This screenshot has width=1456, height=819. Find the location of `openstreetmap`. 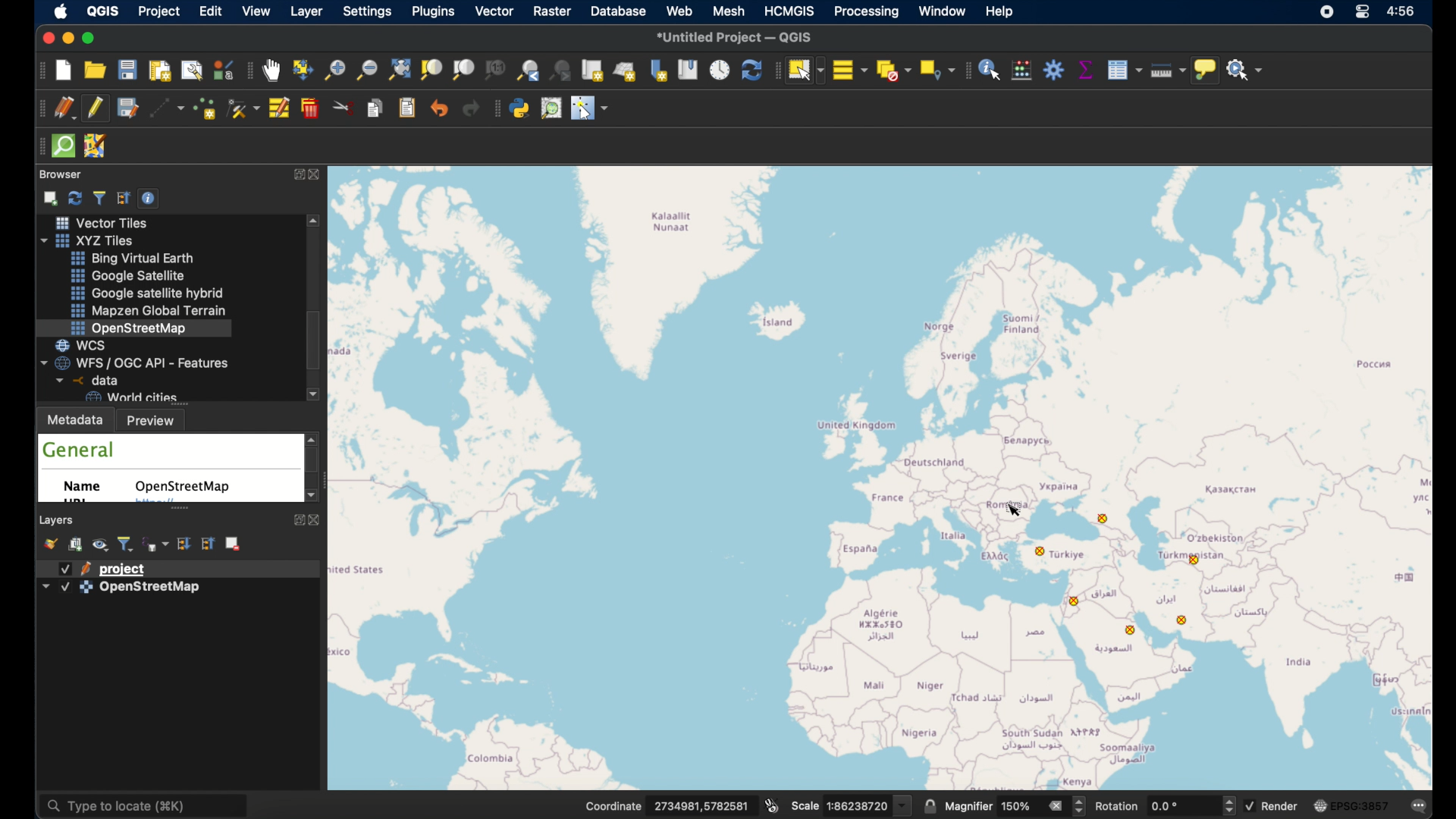

openstreetmap is located at coordinates (186, 487).